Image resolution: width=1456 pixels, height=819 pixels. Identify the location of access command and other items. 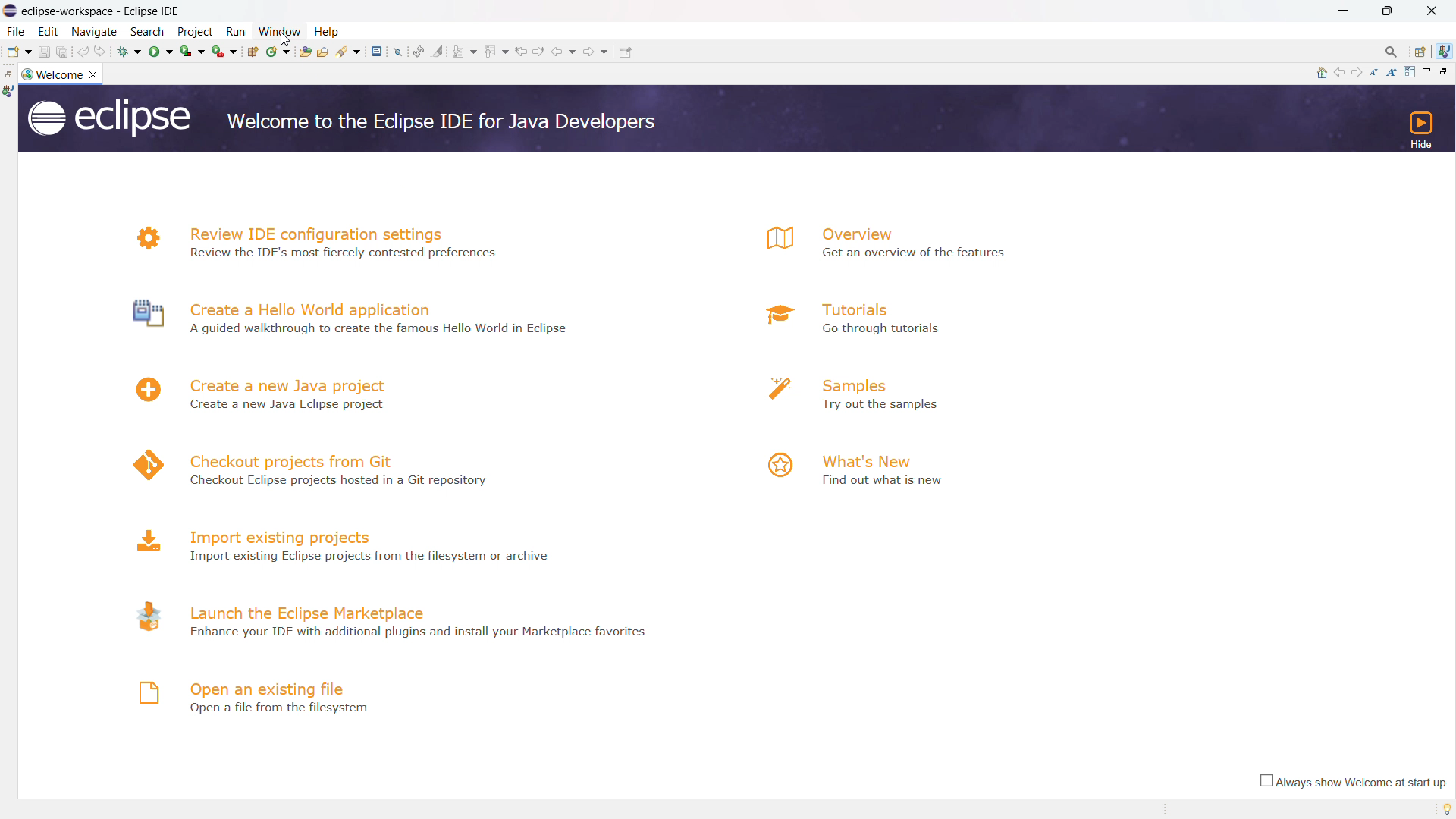
(1392, 52).